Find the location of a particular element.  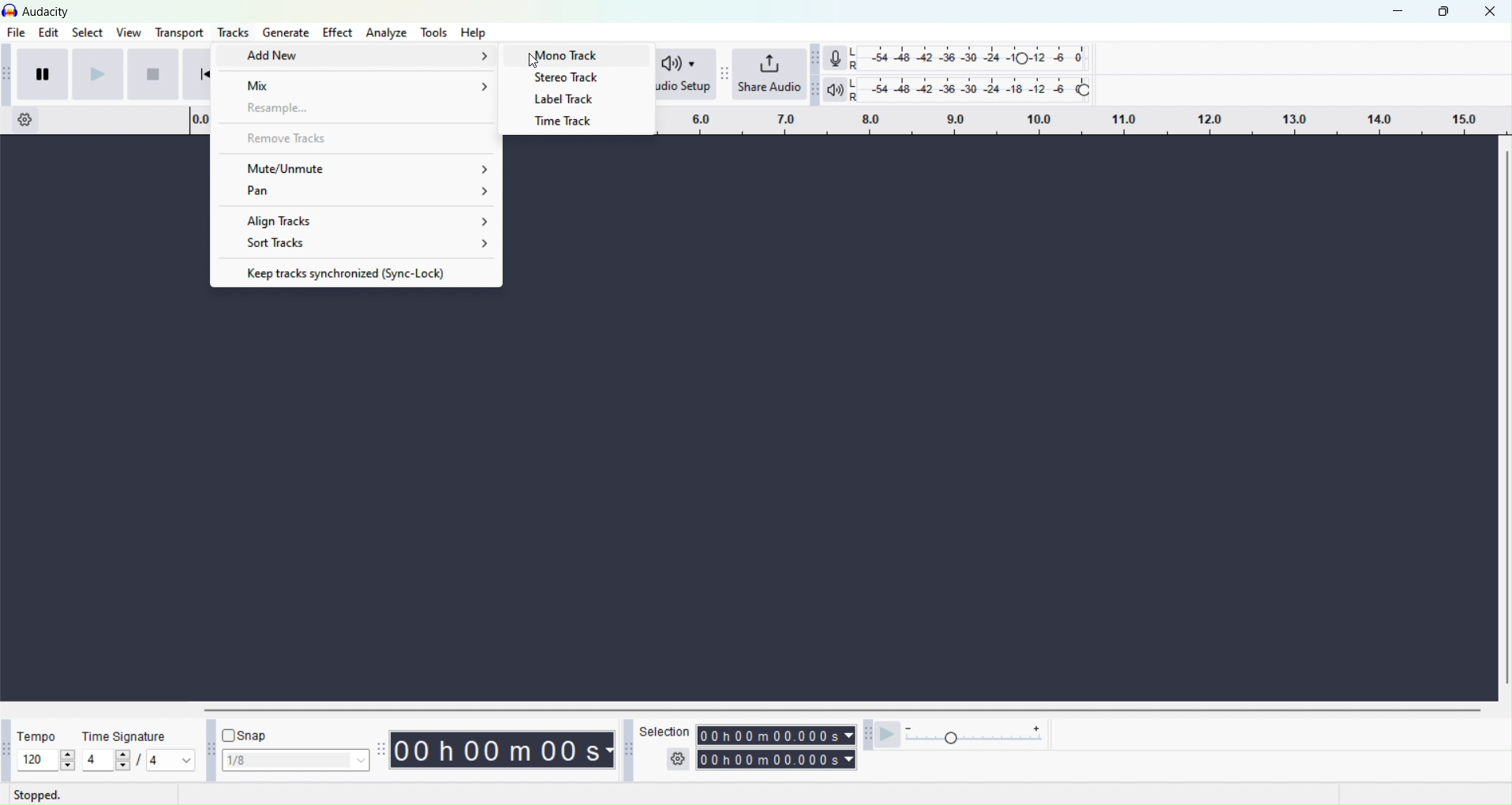

Transport is located at coordinates (182, 32).